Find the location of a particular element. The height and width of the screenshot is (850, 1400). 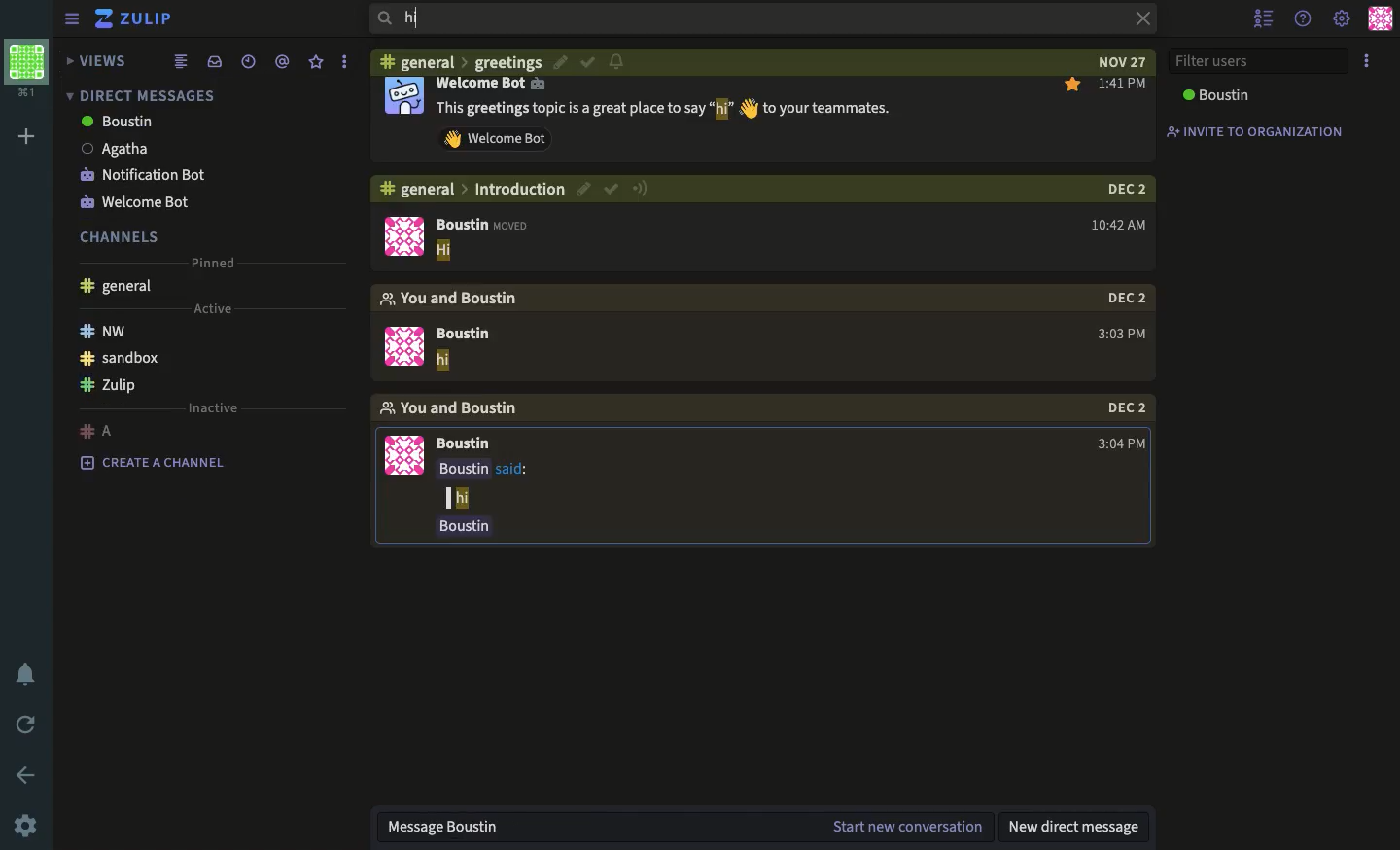

DEC2 is located at coordinates (1122, 189).